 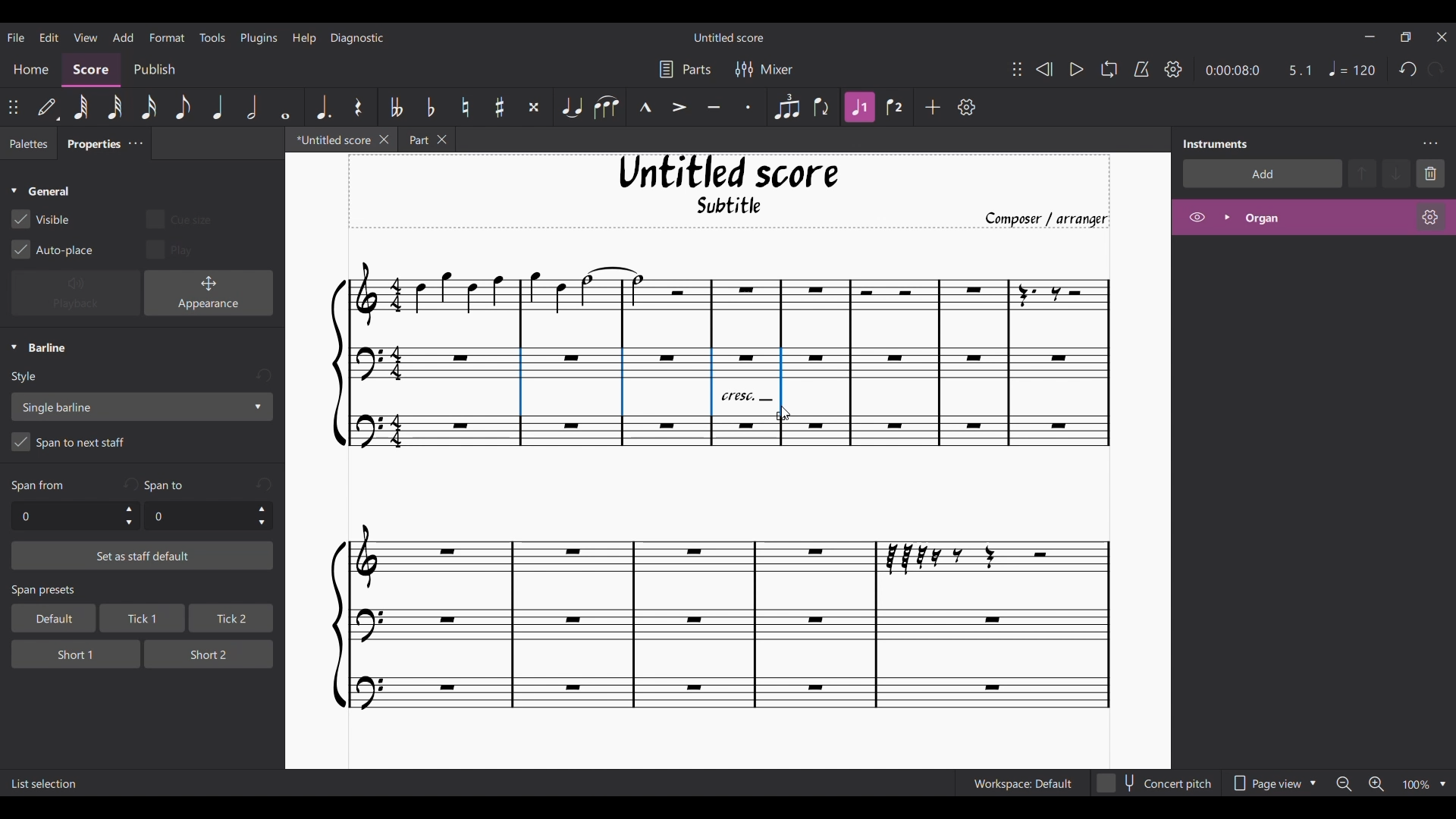 What do you see at coordinates (764, 69) in the screenshot?
I see `Mixer settings` at bounding box center [764, 69].